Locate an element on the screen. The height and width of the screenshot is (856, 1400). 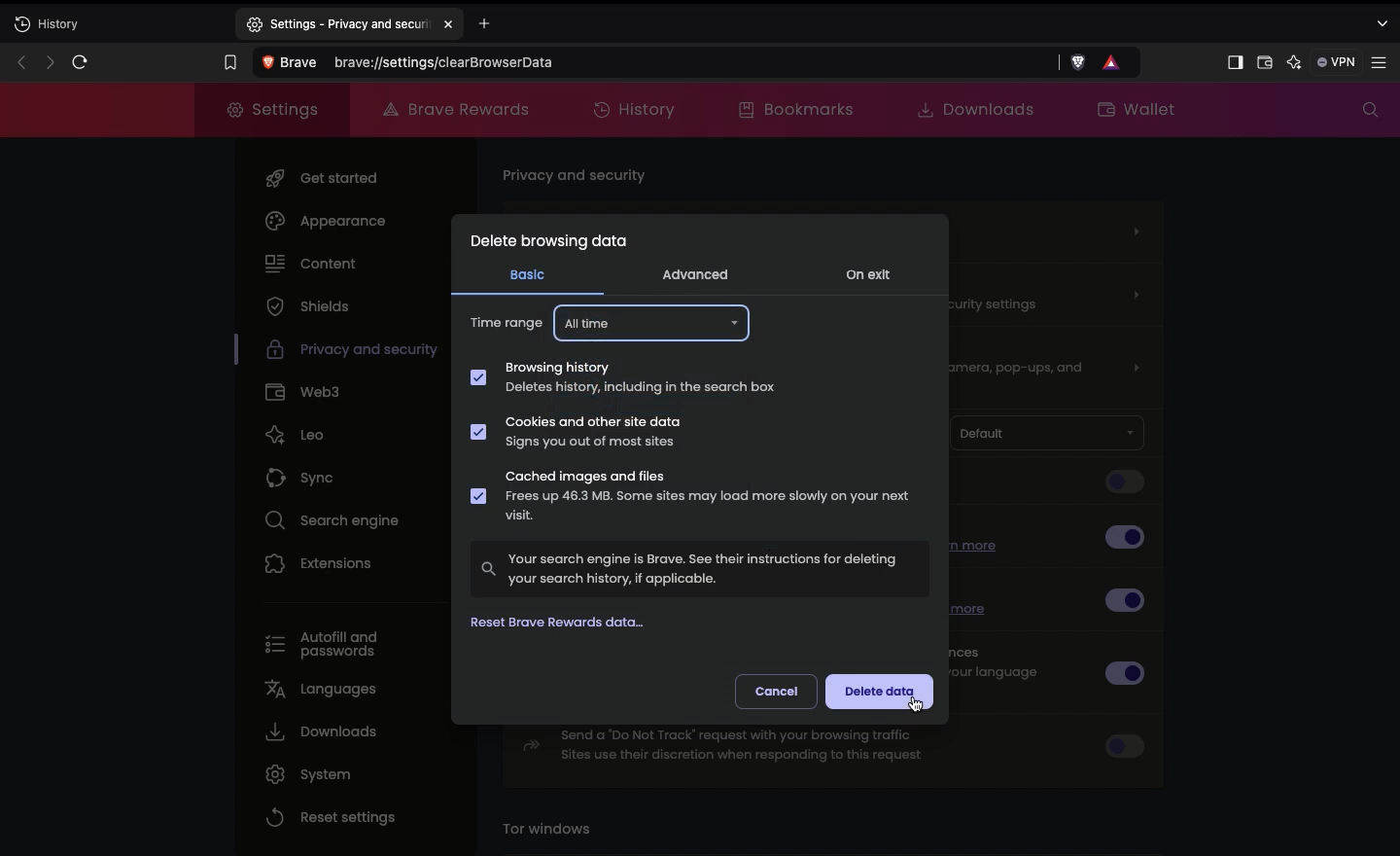
Shields is located at coordinates (306, 308).